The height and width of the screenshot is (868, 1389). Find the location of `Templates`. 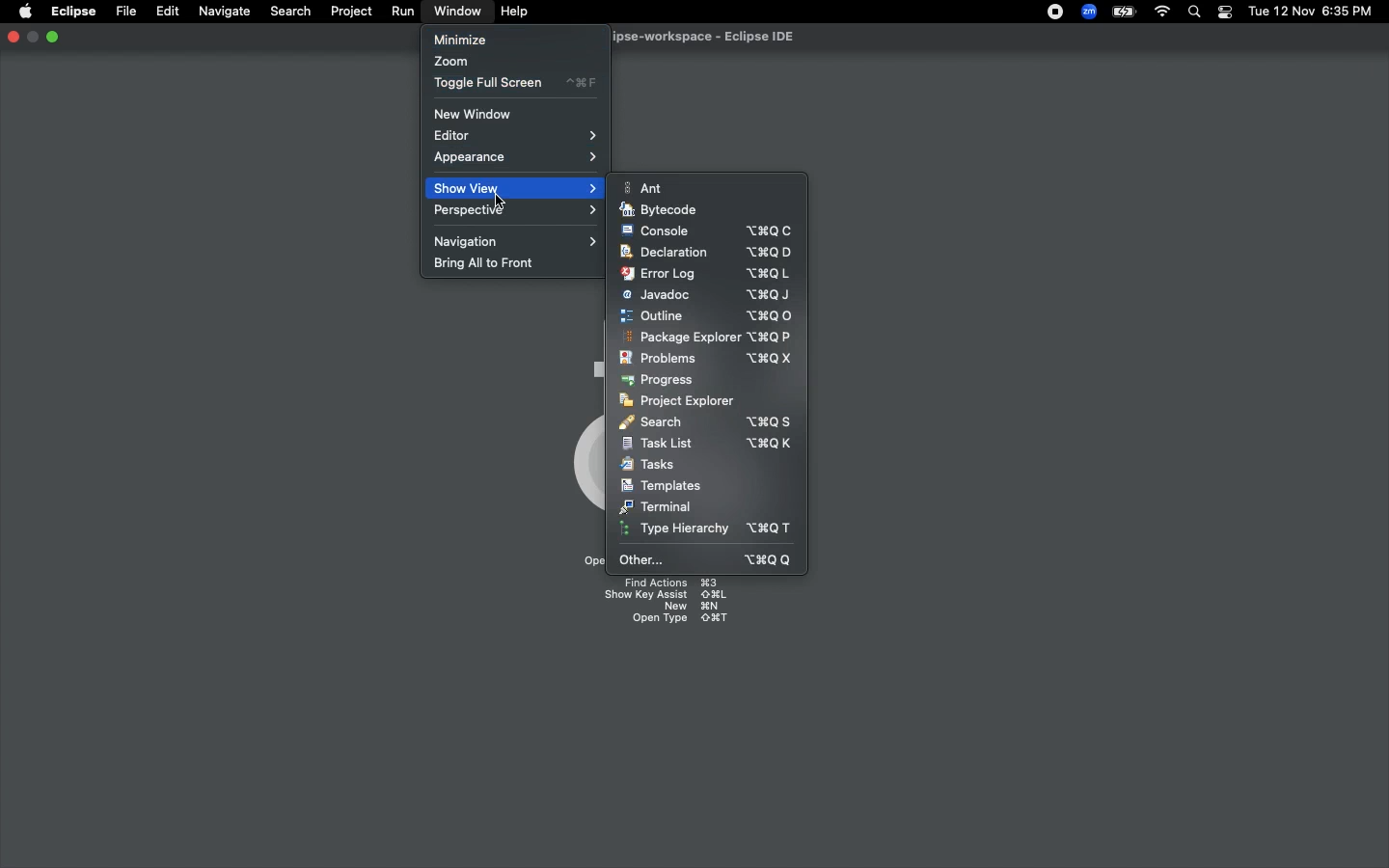

Templates is located at coordinates (661, 485).